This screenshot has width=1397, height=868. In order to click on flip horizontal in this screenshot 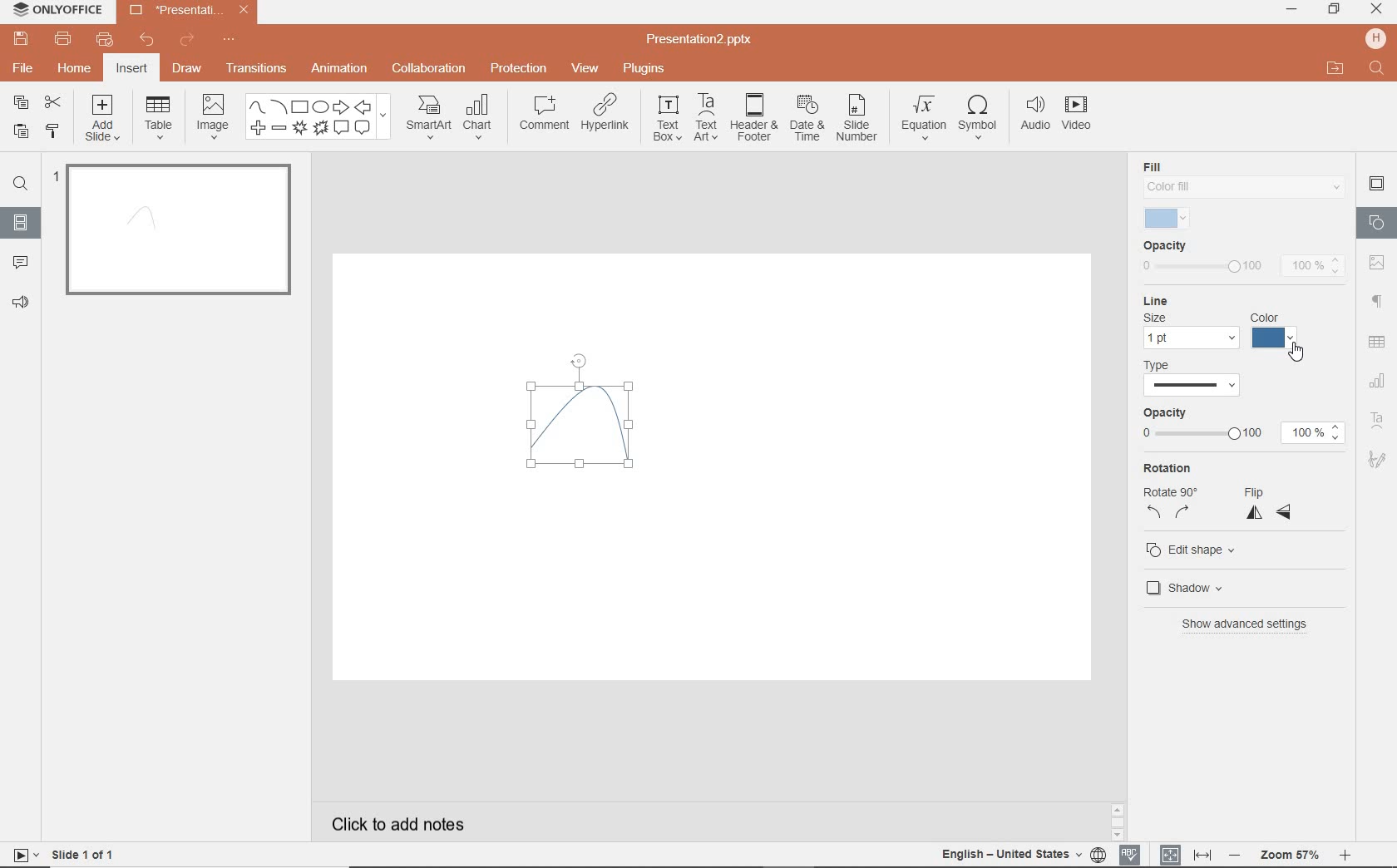, I will do `click(1289, 514)`.